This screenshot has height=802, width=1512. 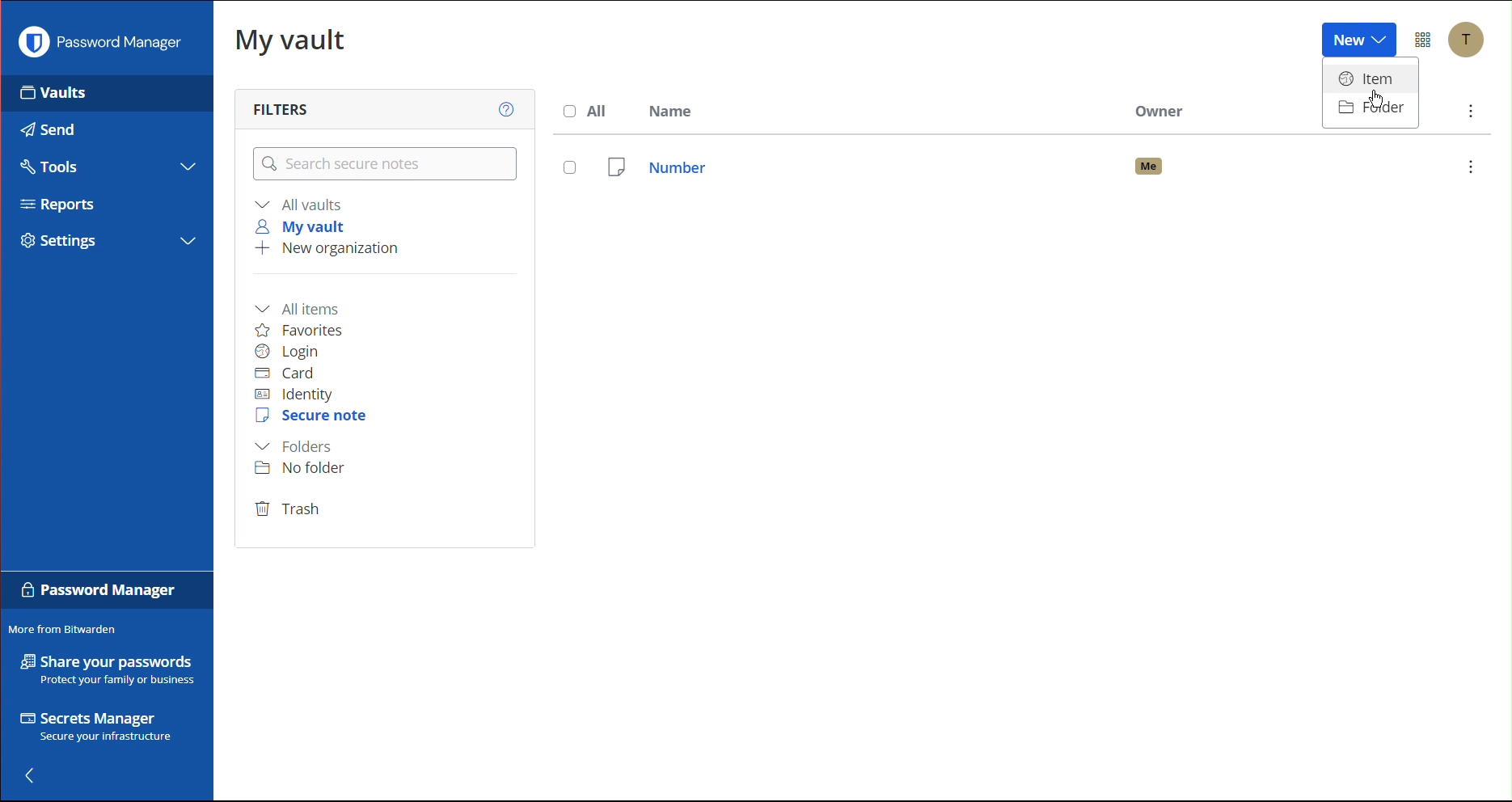 What do you see at coordinates (66, 241) in the screenshot?
I see `Settings` at bounding box center [66, 241].